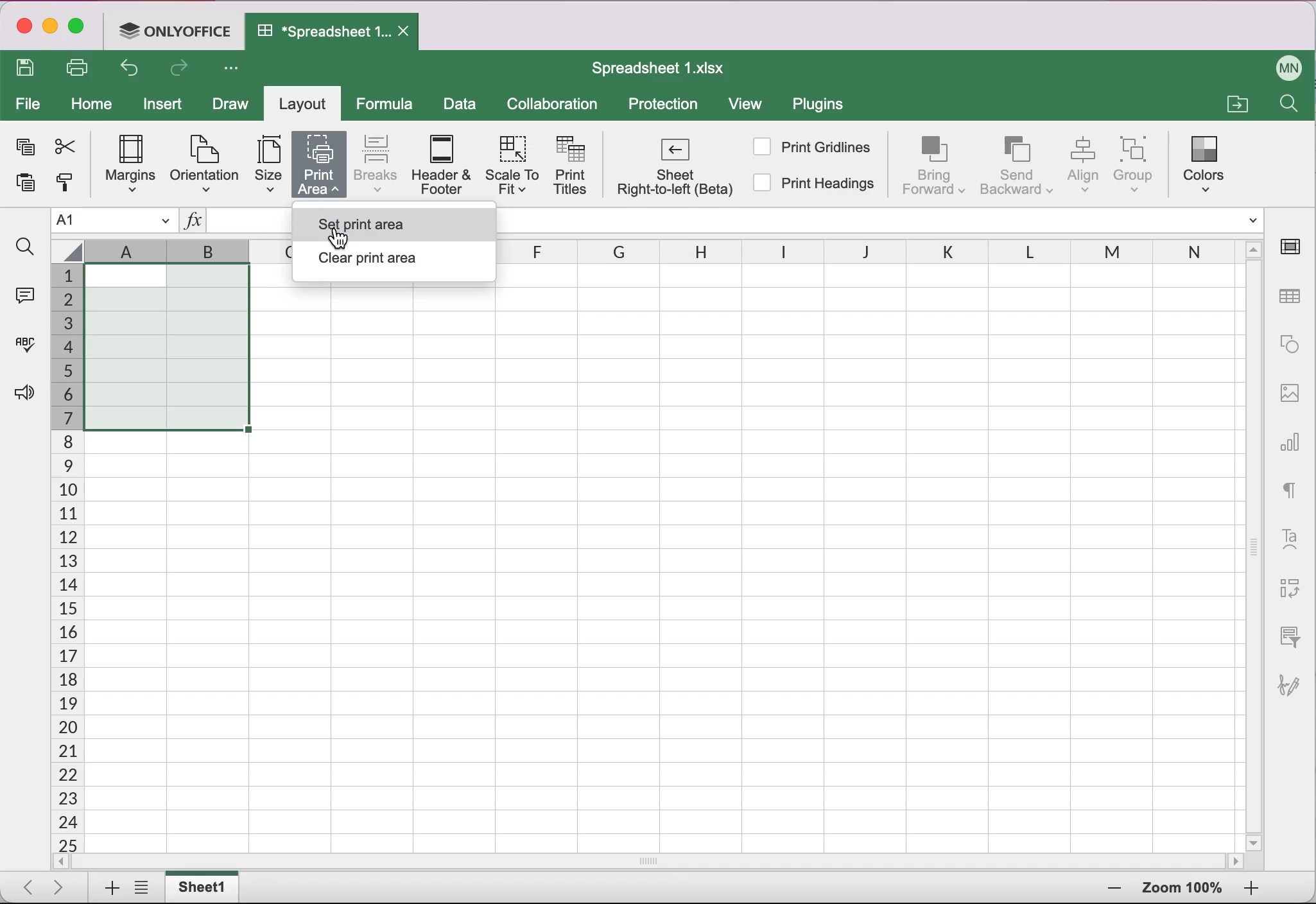 This screenshot has width=1316, height=904. Describe the element at coordinates (306, 106) in the screenshot. I see `layout` at that location.